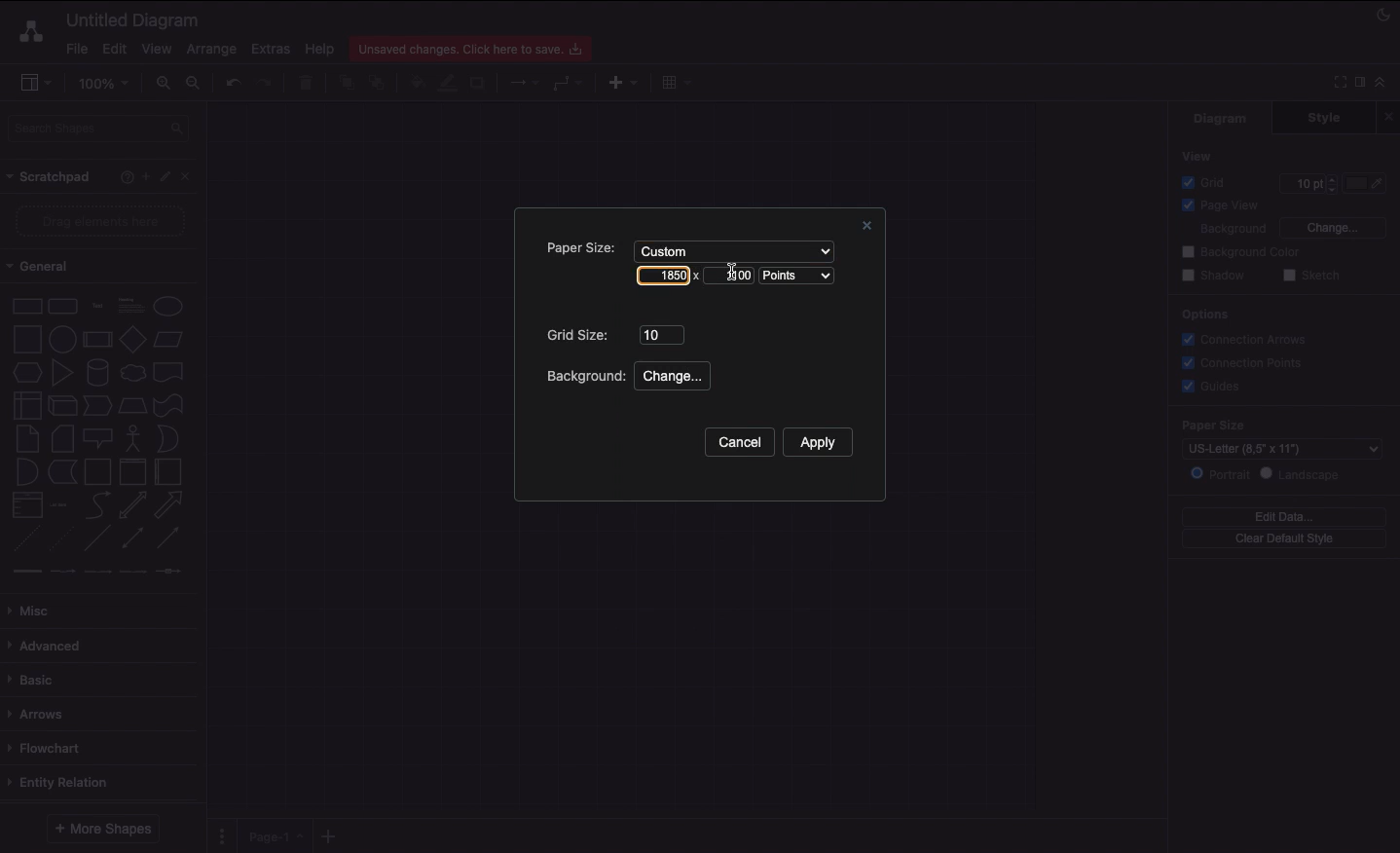  I want to click on Square, so click(25, 339).